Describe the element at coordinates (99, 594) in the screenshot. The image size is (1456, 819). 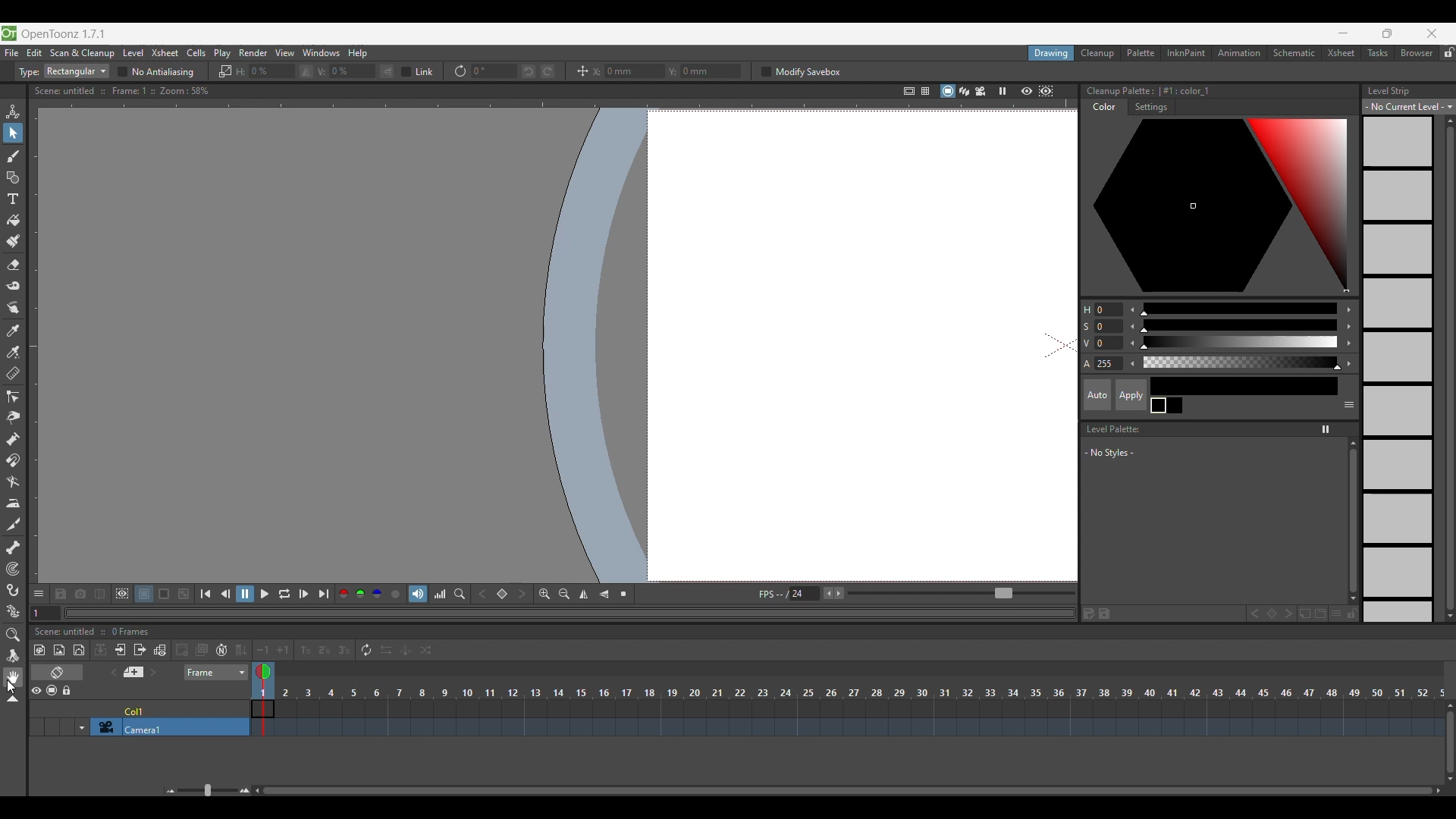
I see `Compare to snapshot` at that location.